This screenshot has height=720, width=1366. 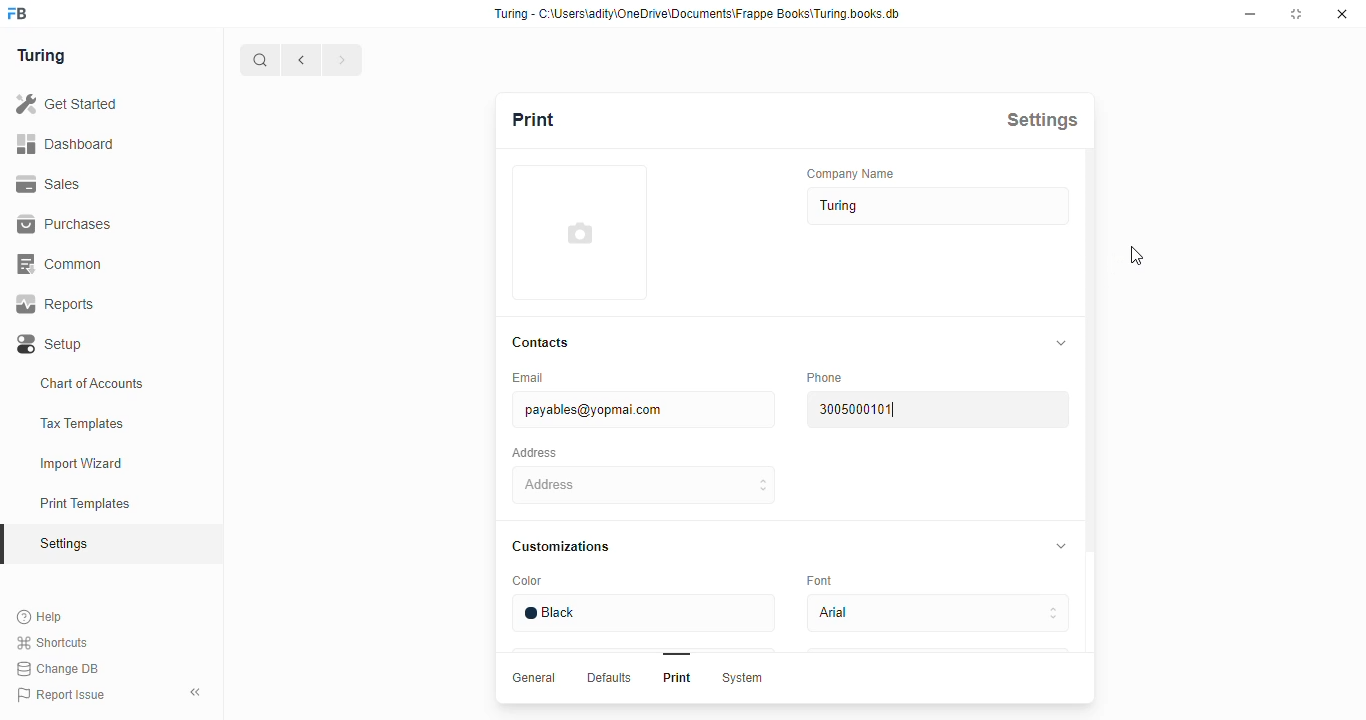 I want to click on maximise, so click(x=1299, y=14).